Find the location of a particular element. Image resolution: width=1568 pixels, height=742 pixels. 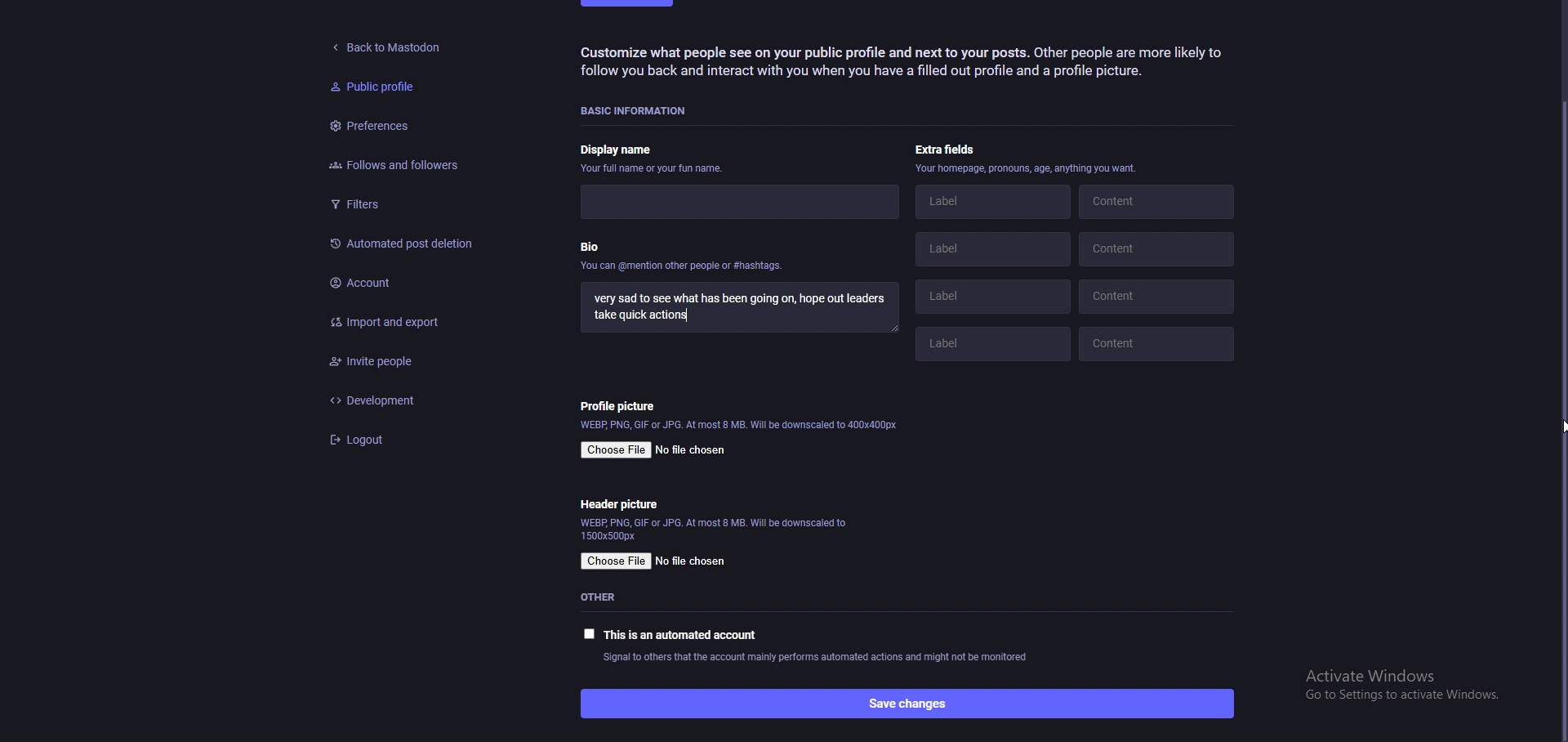

profile picture is located at coordinates (622, 405).